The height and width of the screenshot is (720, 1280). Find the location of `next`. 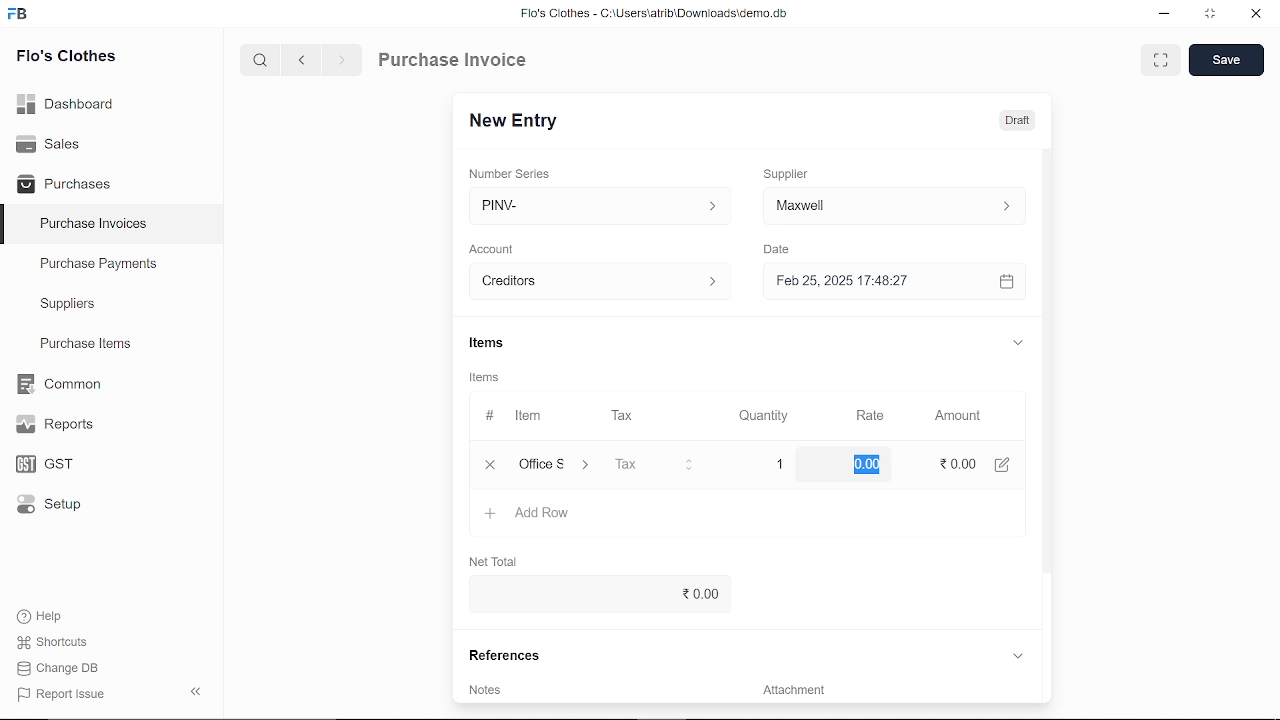

next is located at coordinates (342, 63).